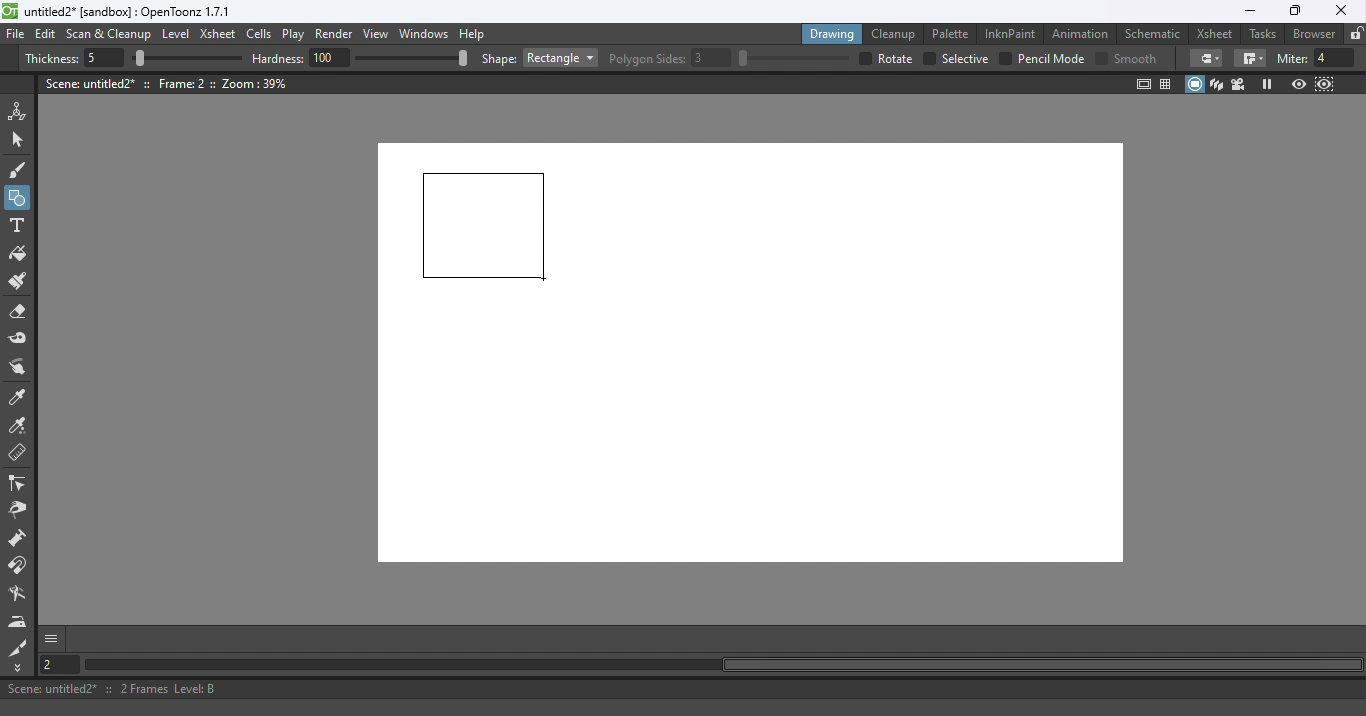  Describe the element at coordinates (280, 58) in the screenshot. I see `hardness` at that location.